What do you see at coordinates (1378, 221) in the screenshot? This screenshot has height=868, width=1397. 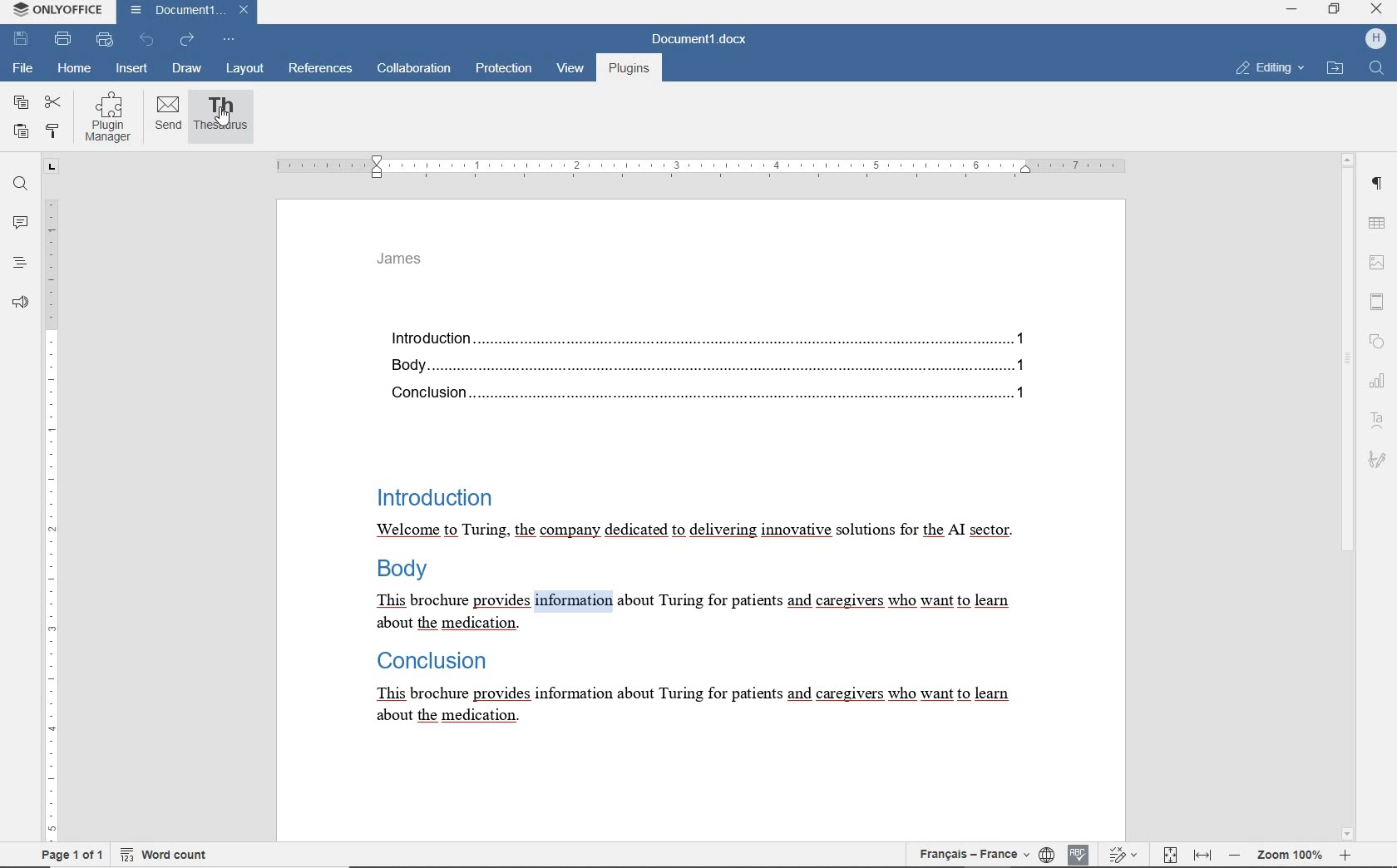 I see `TABLE` at bounding box center [1378, 221].